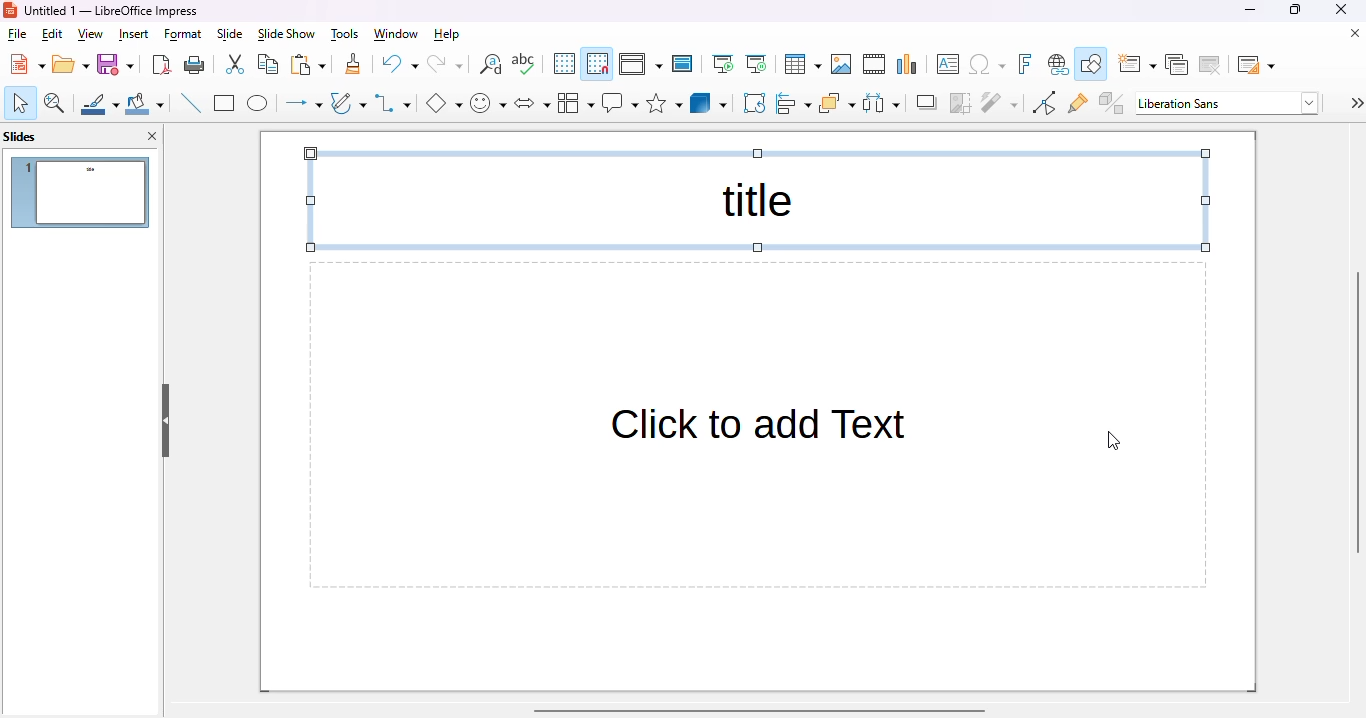 This screenshot has height=718, width=1366. I want to click on paste, so click(308, 65).